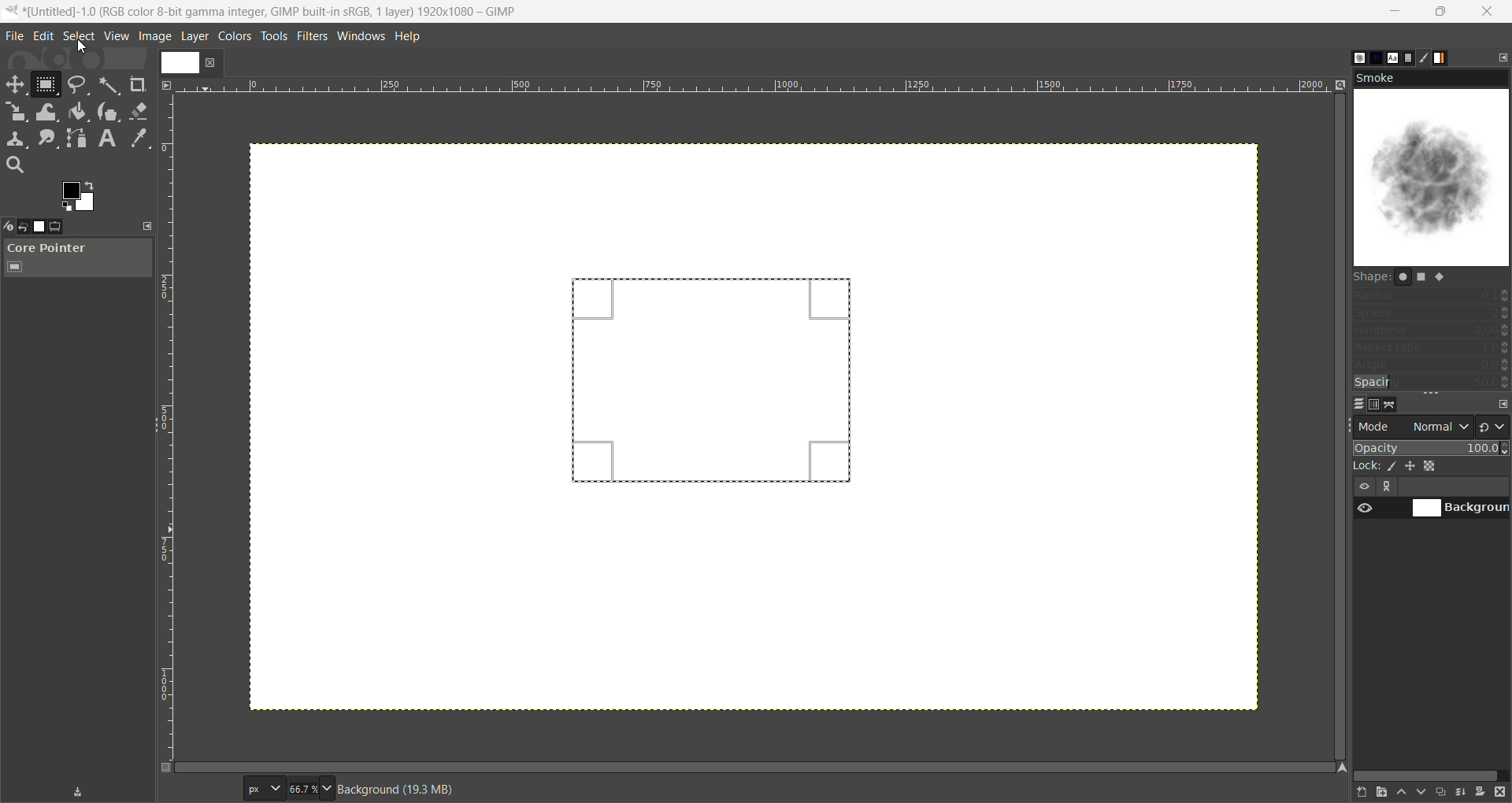 This screenshot has height=803, width=1512. Describe the element at coordinates (1357, 58) in the screenshot. I see `brush` at that location.